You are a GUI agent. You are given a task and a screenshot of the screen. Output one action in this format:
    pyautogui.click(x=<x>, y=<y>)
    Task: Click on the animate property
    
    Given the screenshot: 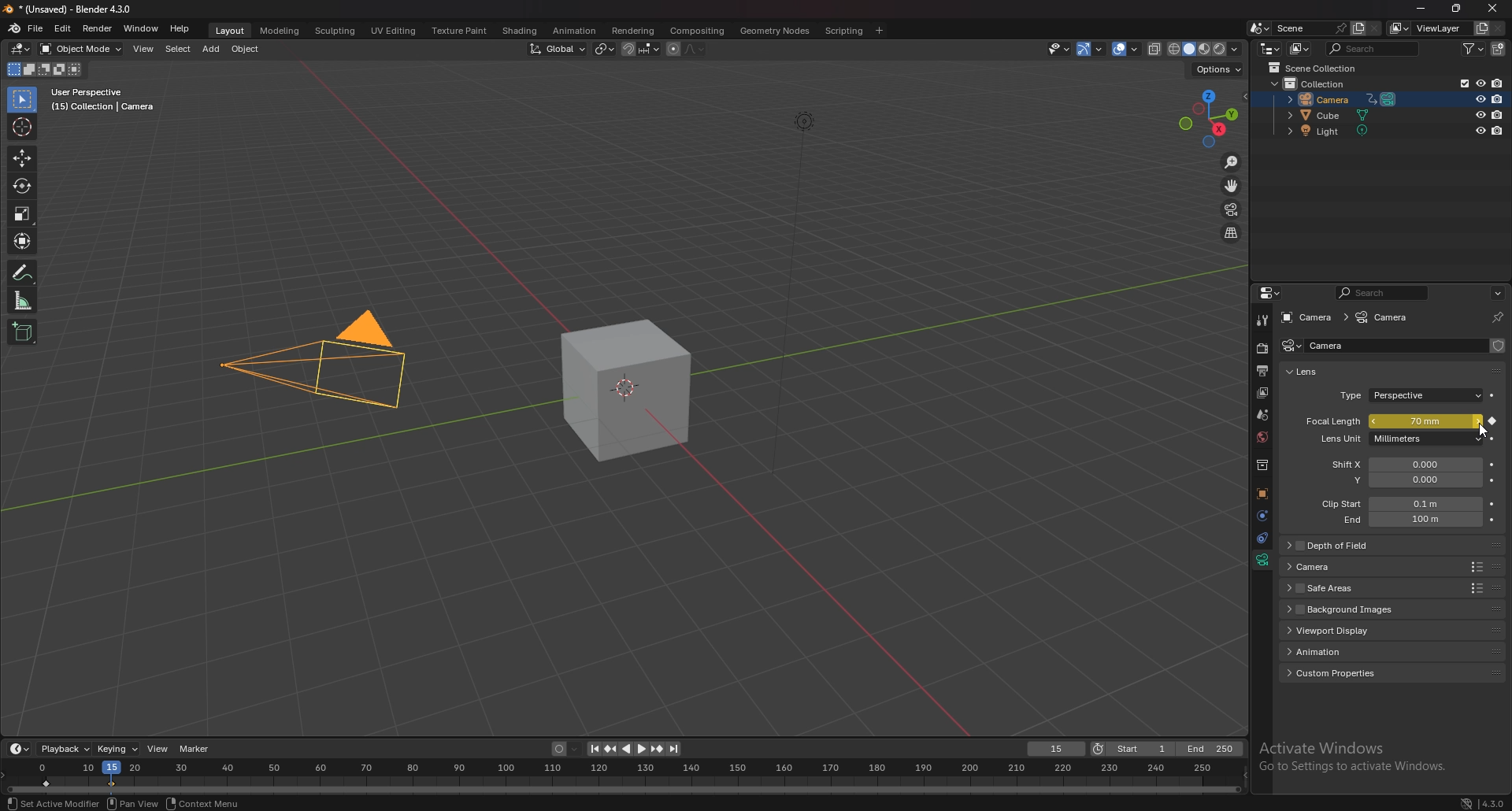 What is the action you would take?
    pyautogui.click(x=1494, y=480)
    